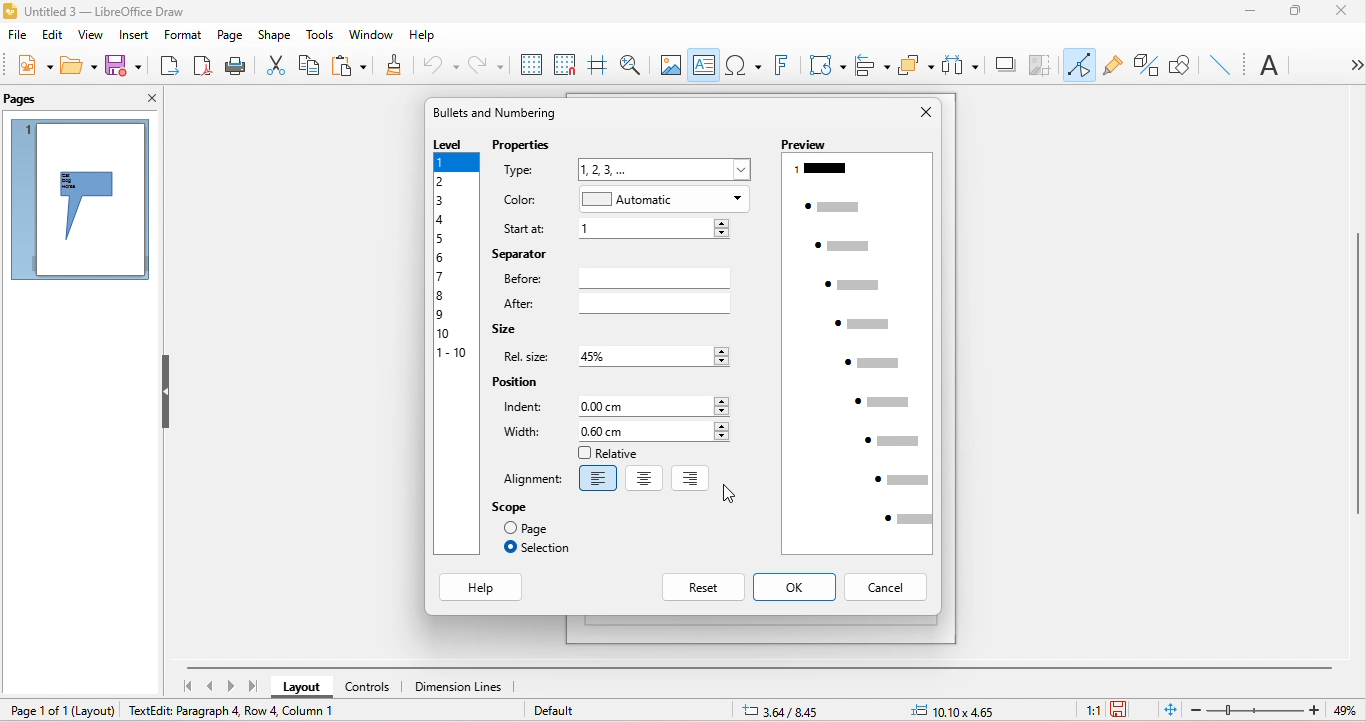 Image resolution: width=1366 pixels, height=722 pixels. I want to click on clone formatting, so click(389, 67).